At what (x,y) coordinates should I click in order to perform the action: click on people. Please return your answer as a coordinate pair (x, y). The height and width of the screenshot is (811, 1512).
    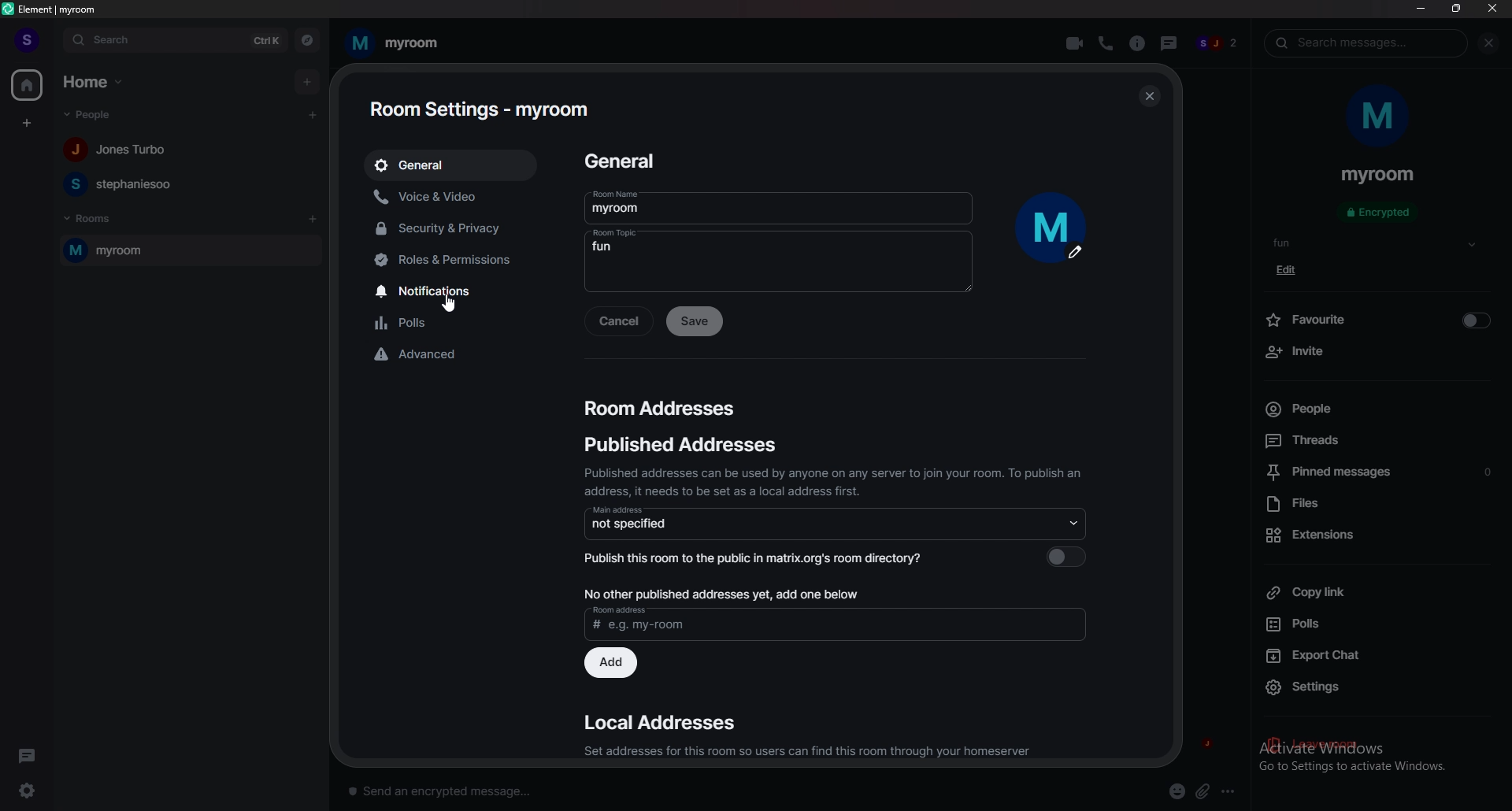
    Looking at the image, I should click on (121, 150).